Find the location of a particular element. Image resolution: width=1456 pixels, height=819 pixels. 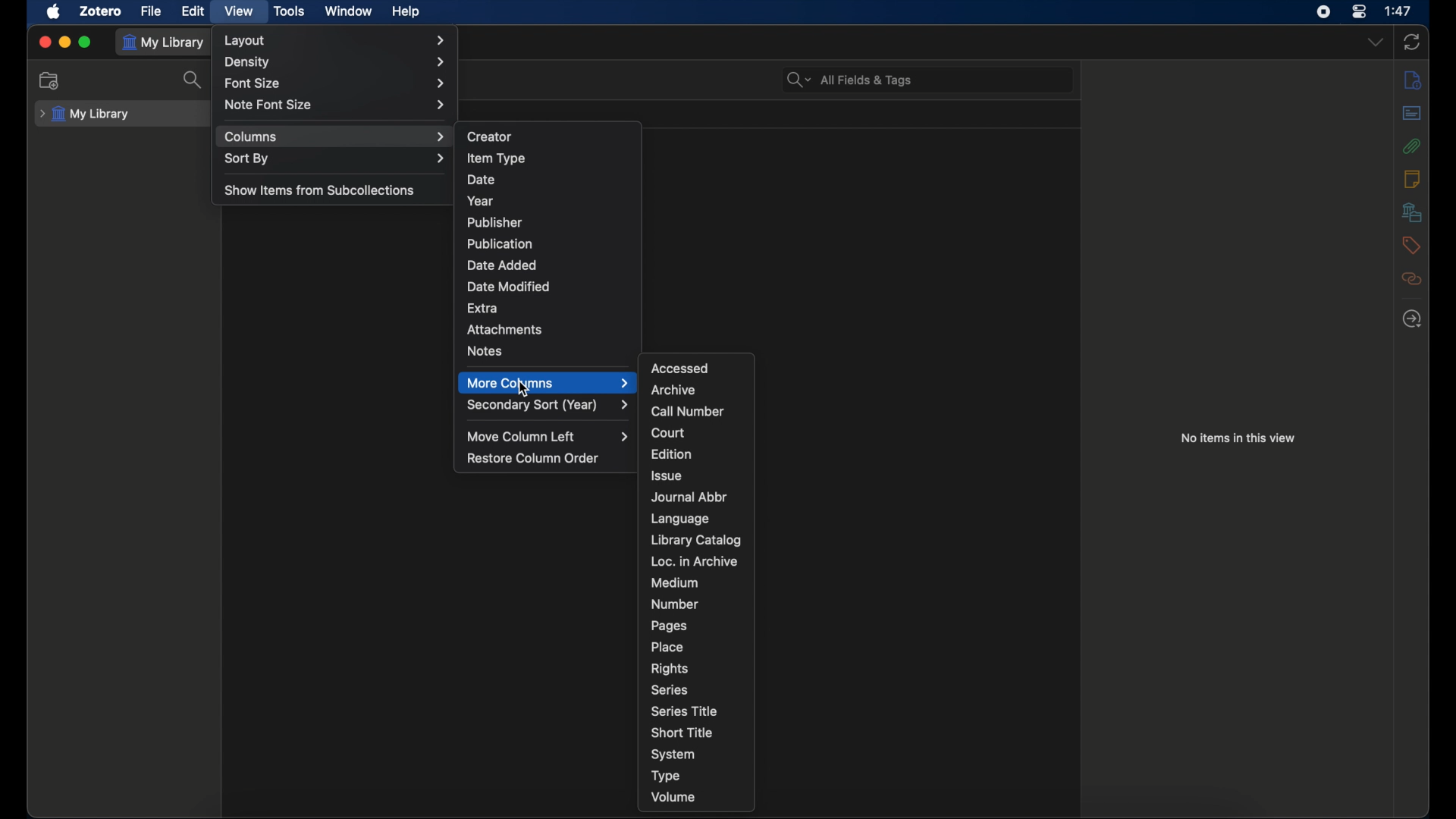

show items from subcollections is located at coordinates (322, 189).